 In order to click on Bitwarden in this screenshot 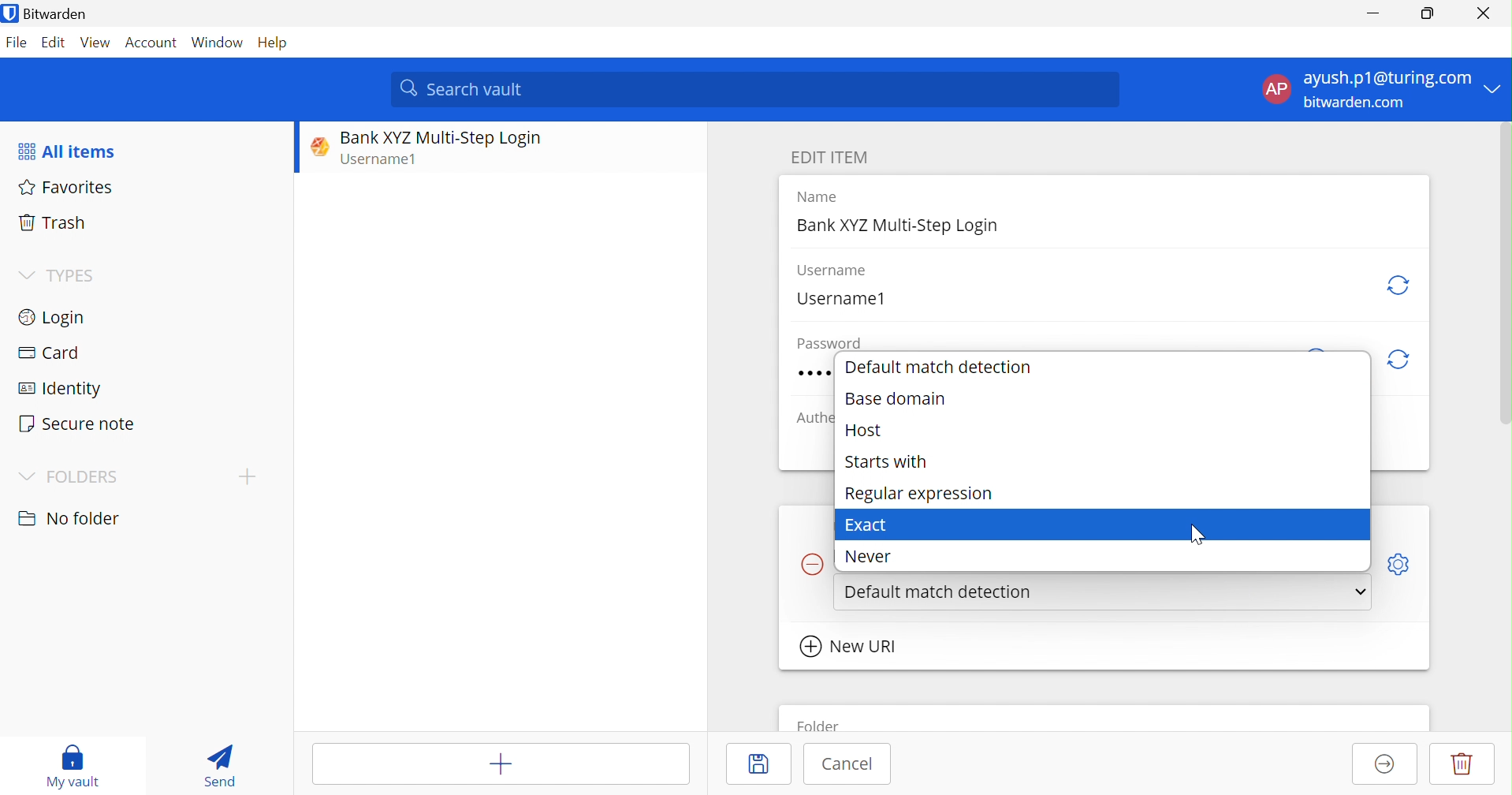, I will do `click(49, 15)`.